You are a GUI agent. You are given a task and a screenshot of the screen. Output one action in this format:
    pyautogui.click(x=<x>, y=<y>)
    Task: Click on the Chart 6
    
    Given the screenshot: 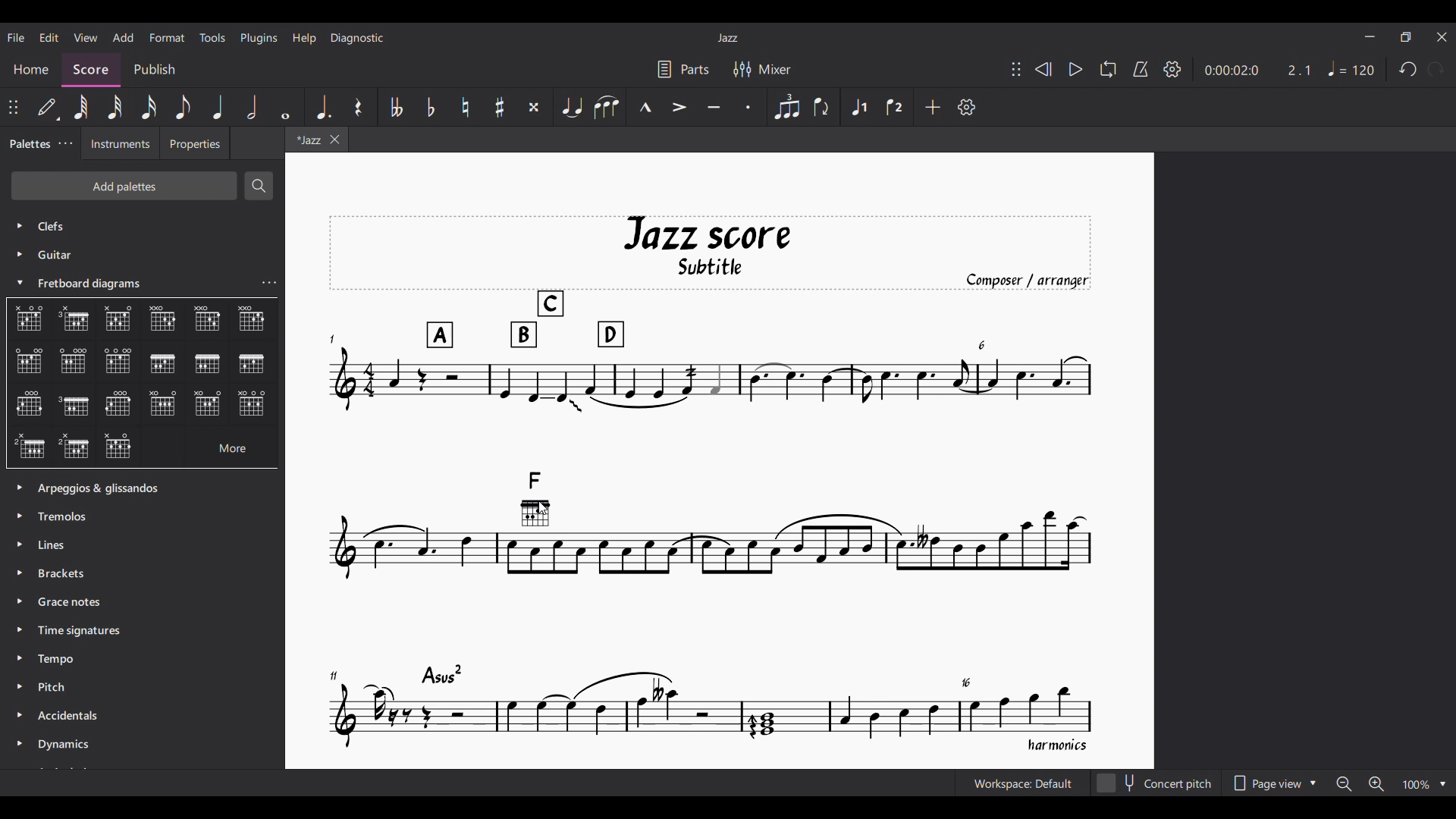 What is the action you would take?
    pyautogui.click(x=29, y=361)
    